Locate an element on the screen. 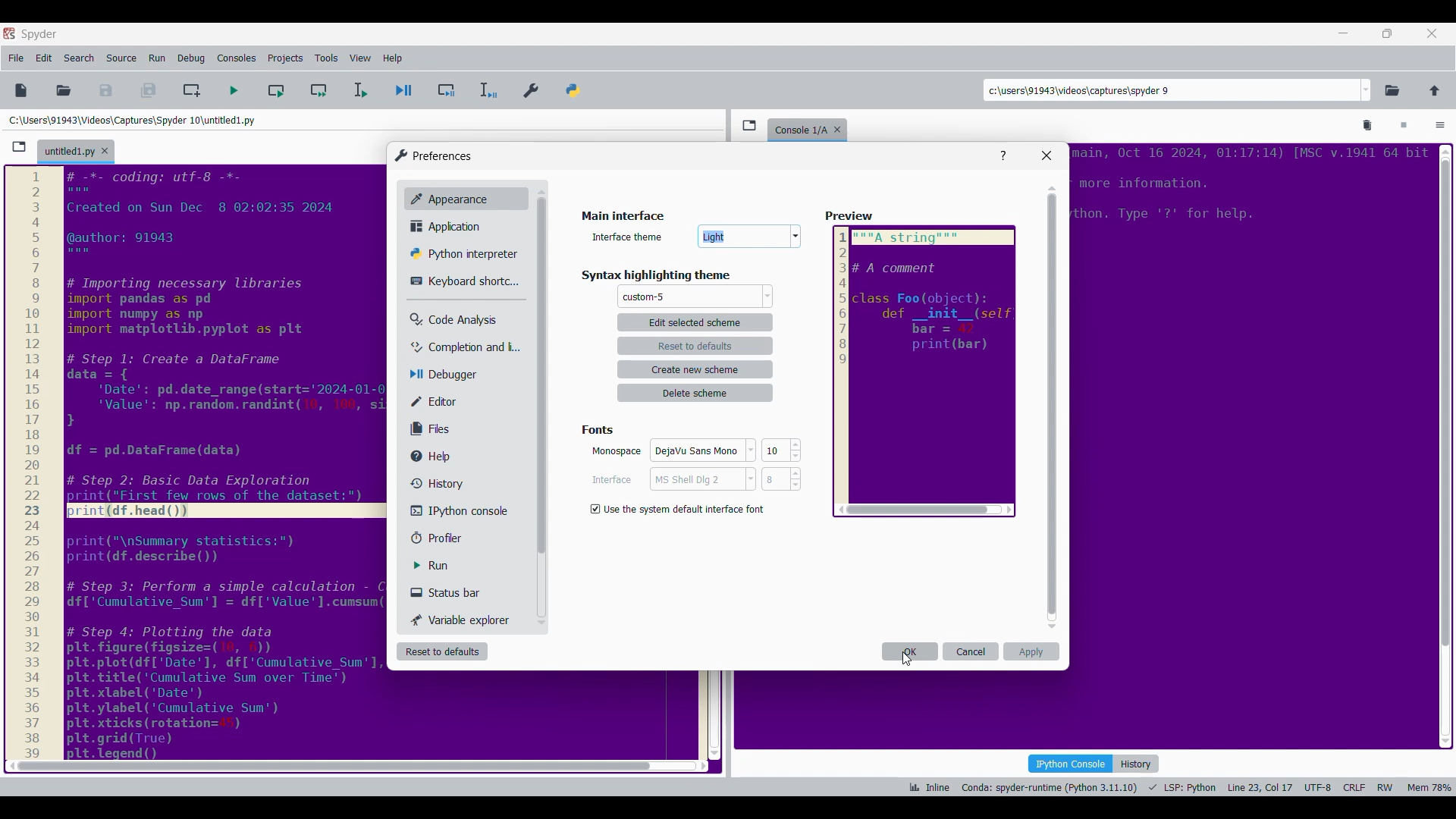 The height and width of the screenshot is (819, 1456). Run file is located at coordinates (234, 90).